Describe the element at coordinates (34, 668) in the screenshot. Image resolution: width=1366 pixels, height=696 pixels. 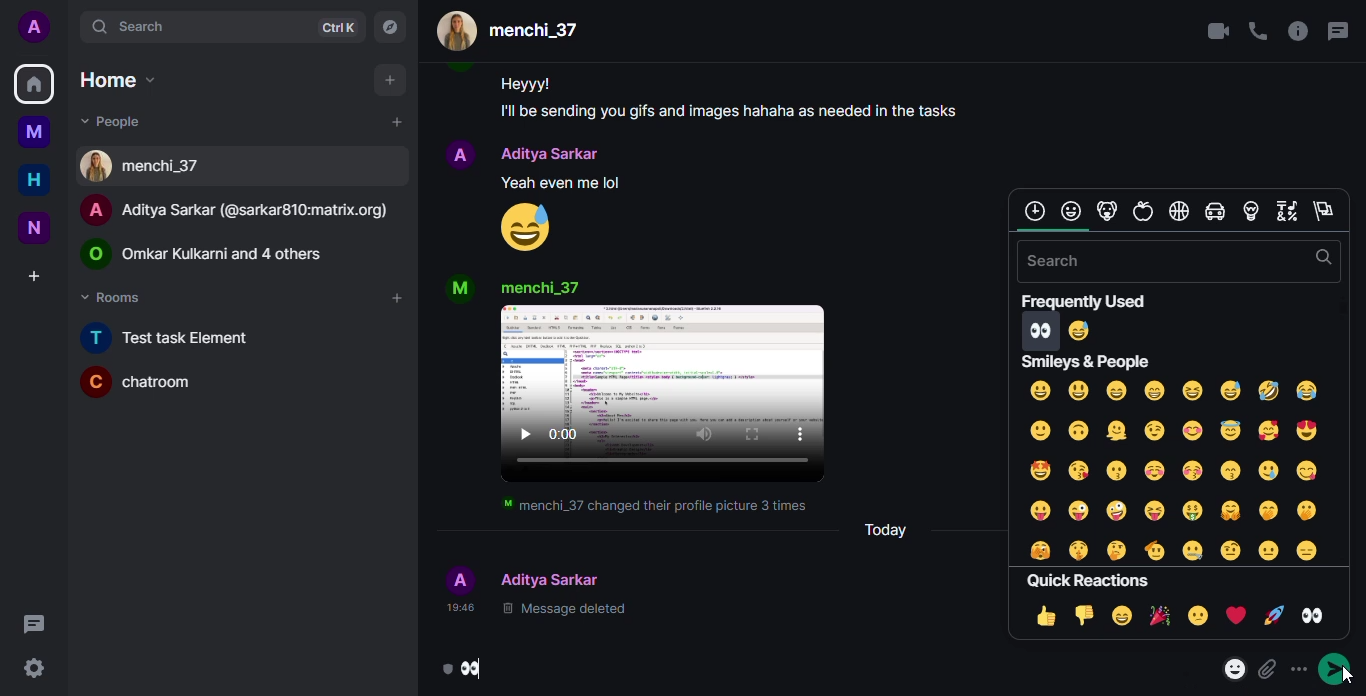
I see `setting` at that location.